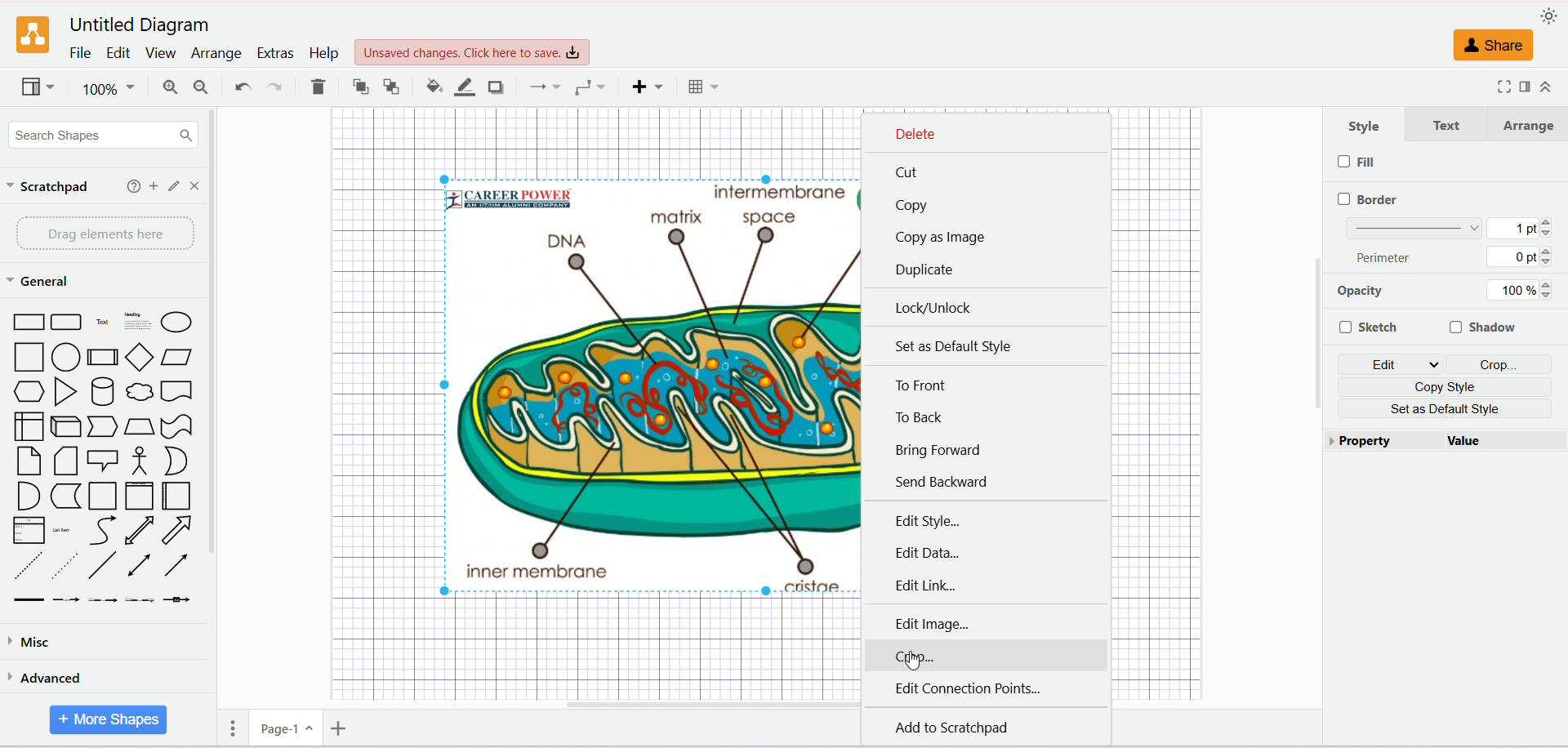 Image resolution: width=1568 pixels, height=748 pixels. Describe the element at coordinates (1498, 364) in the screenshot. I see `crop` at that location.